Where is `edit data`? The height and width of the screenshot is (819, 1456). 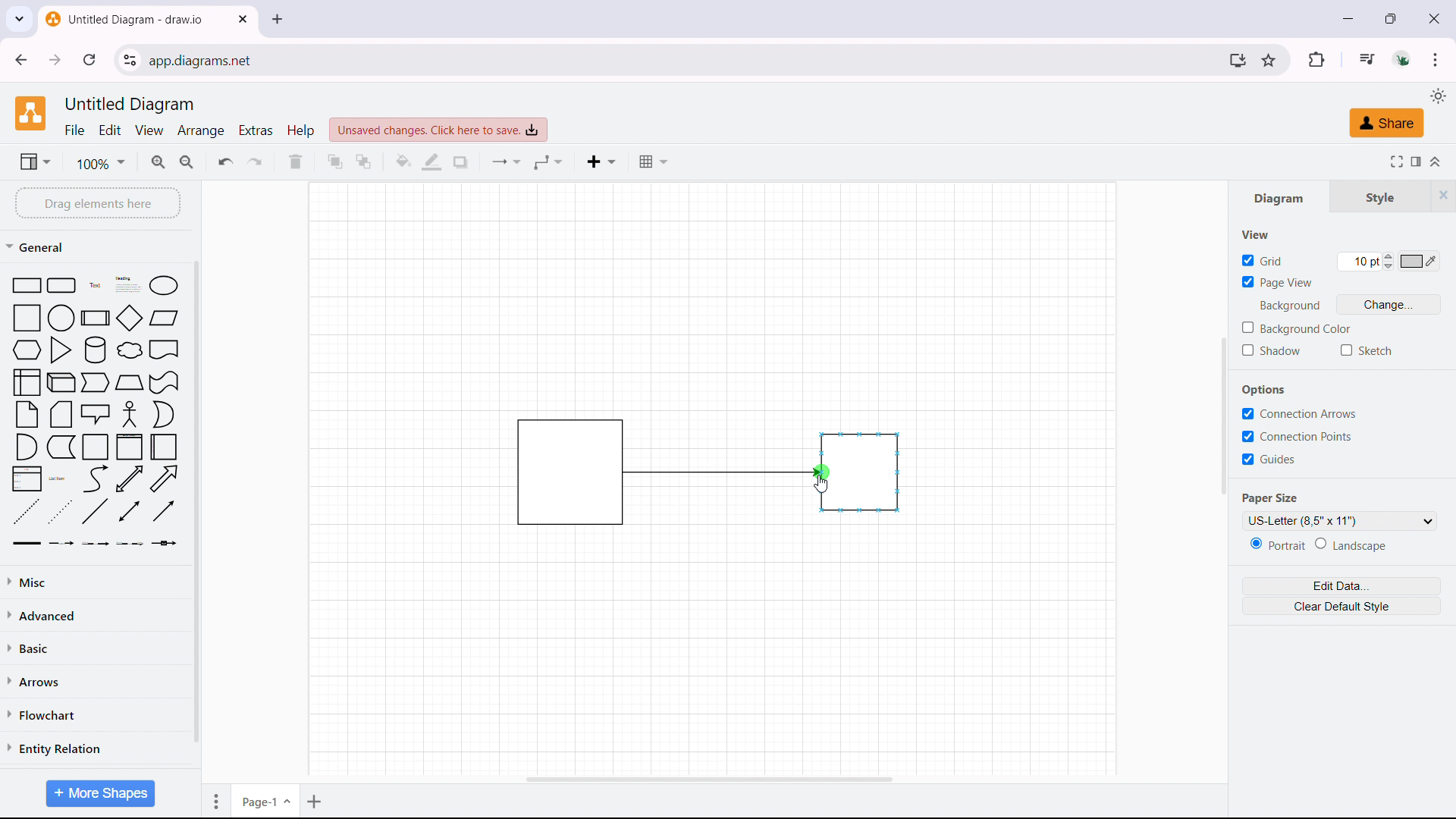
edit data is located at coordinates (1341, 586).